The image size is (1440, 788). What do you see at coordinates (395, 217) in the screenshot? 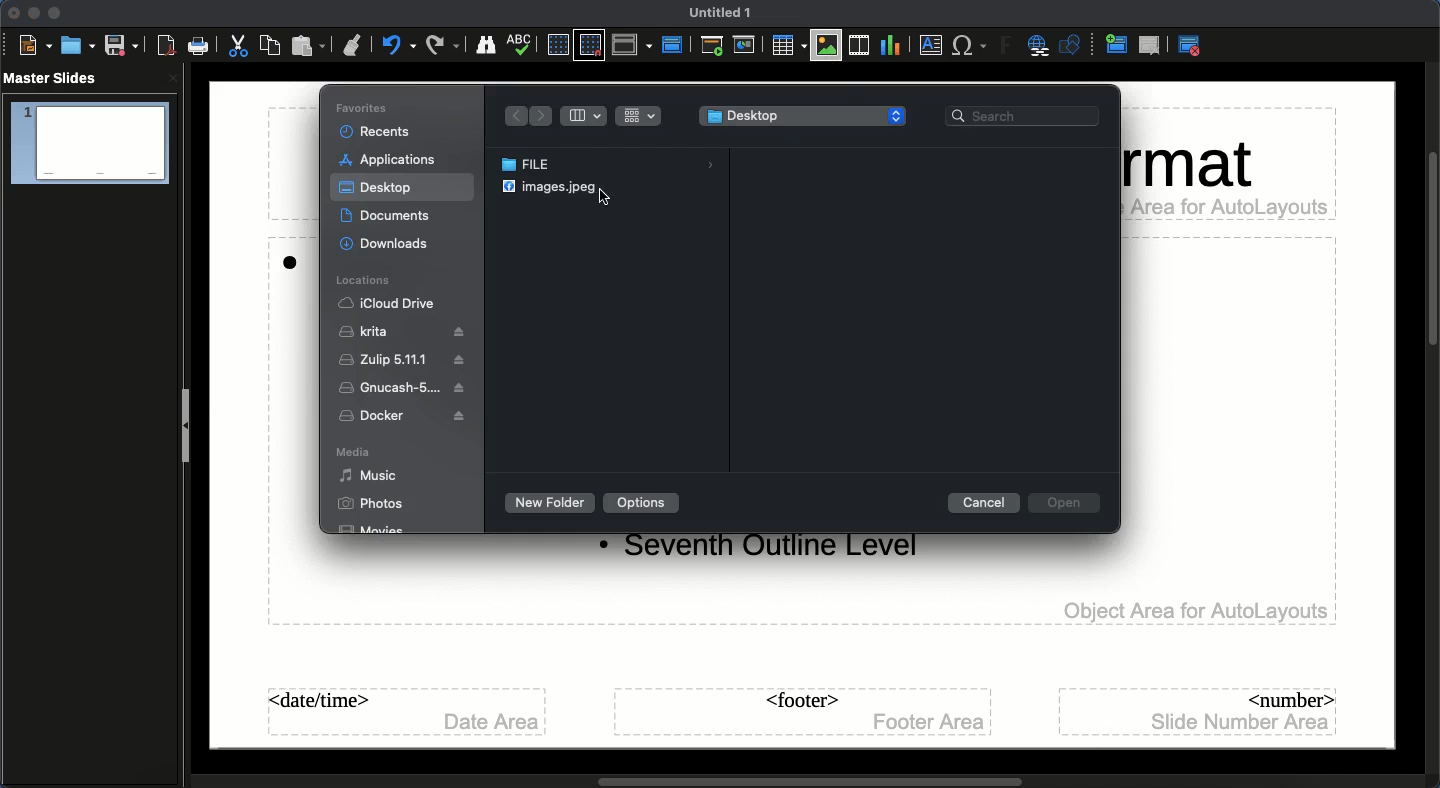
I see `Documents` at bounding box center [395, 217].